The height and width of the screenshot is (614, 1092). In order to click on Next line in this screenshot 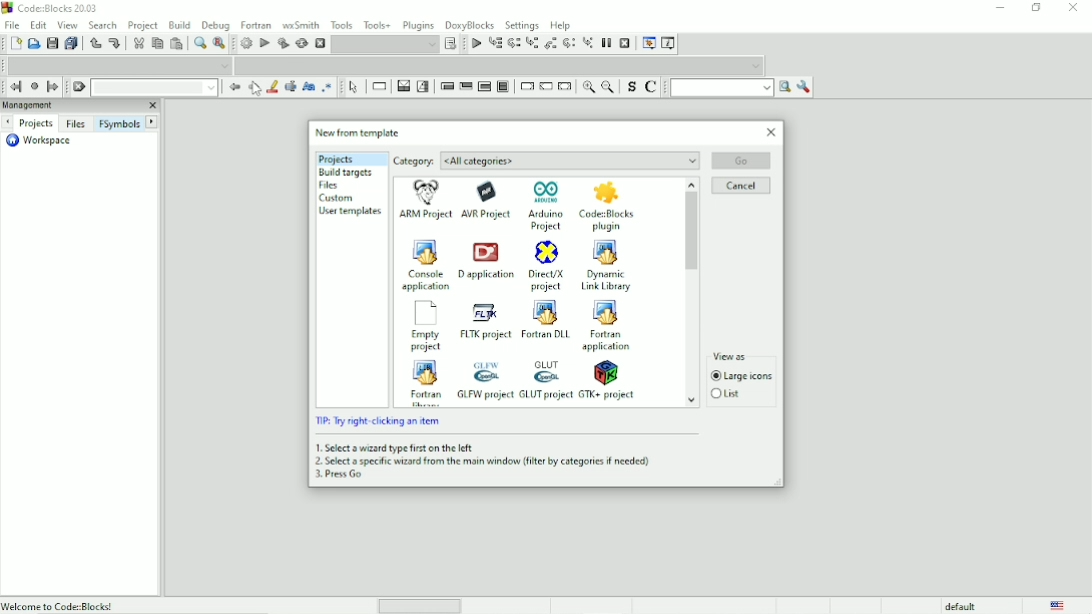, I will do `click(513, 44)`.